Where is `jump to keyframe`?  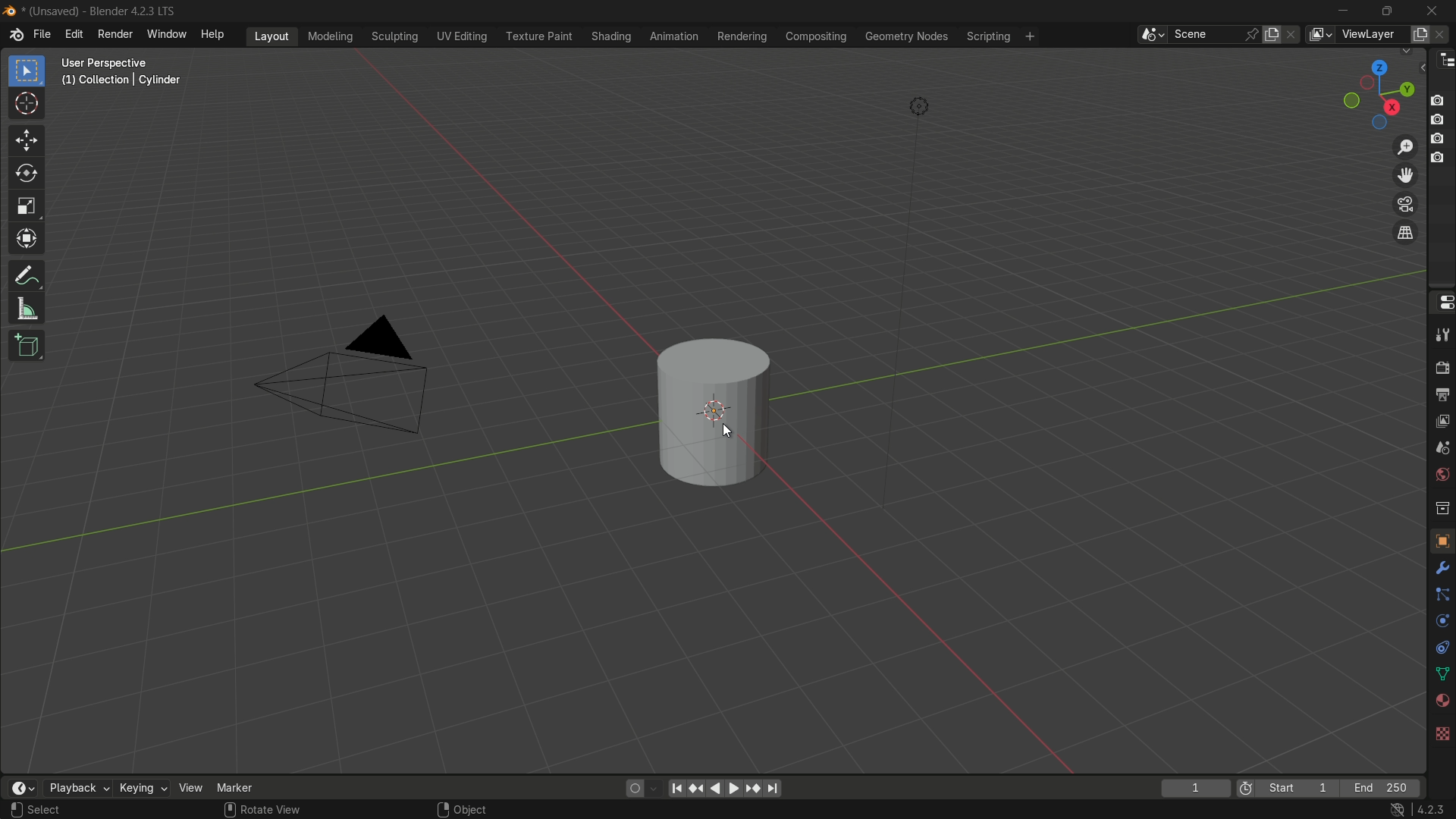
jump to keyframe is located at coordinates (753, 789).